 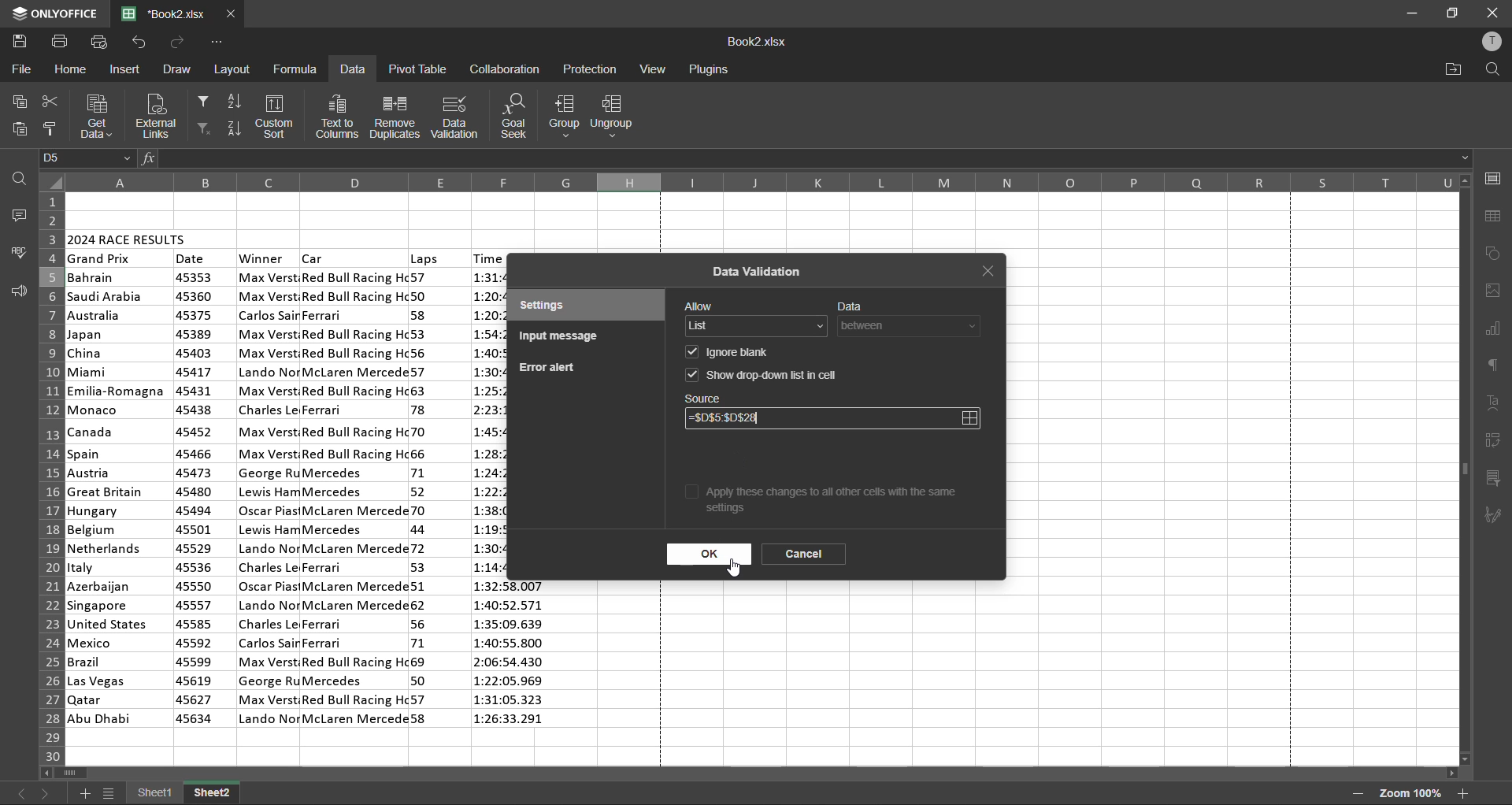 I want to click on data validation, so click(x=457, y=116).